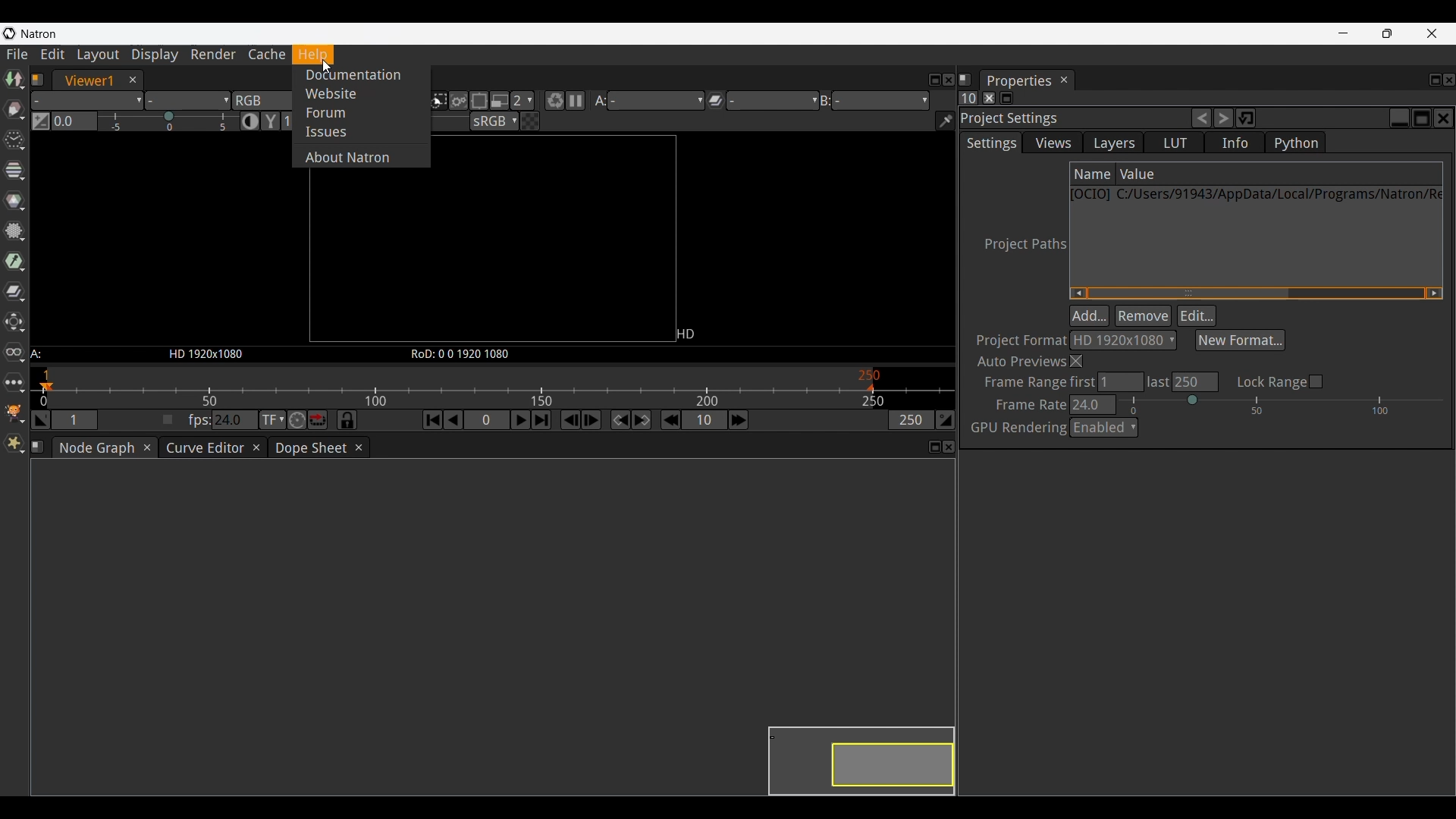 This screenshot has height=819, width=1456. Describe the element at coordinates (870, 387) in the screenshot. I see `Play back out pointer` at that location.